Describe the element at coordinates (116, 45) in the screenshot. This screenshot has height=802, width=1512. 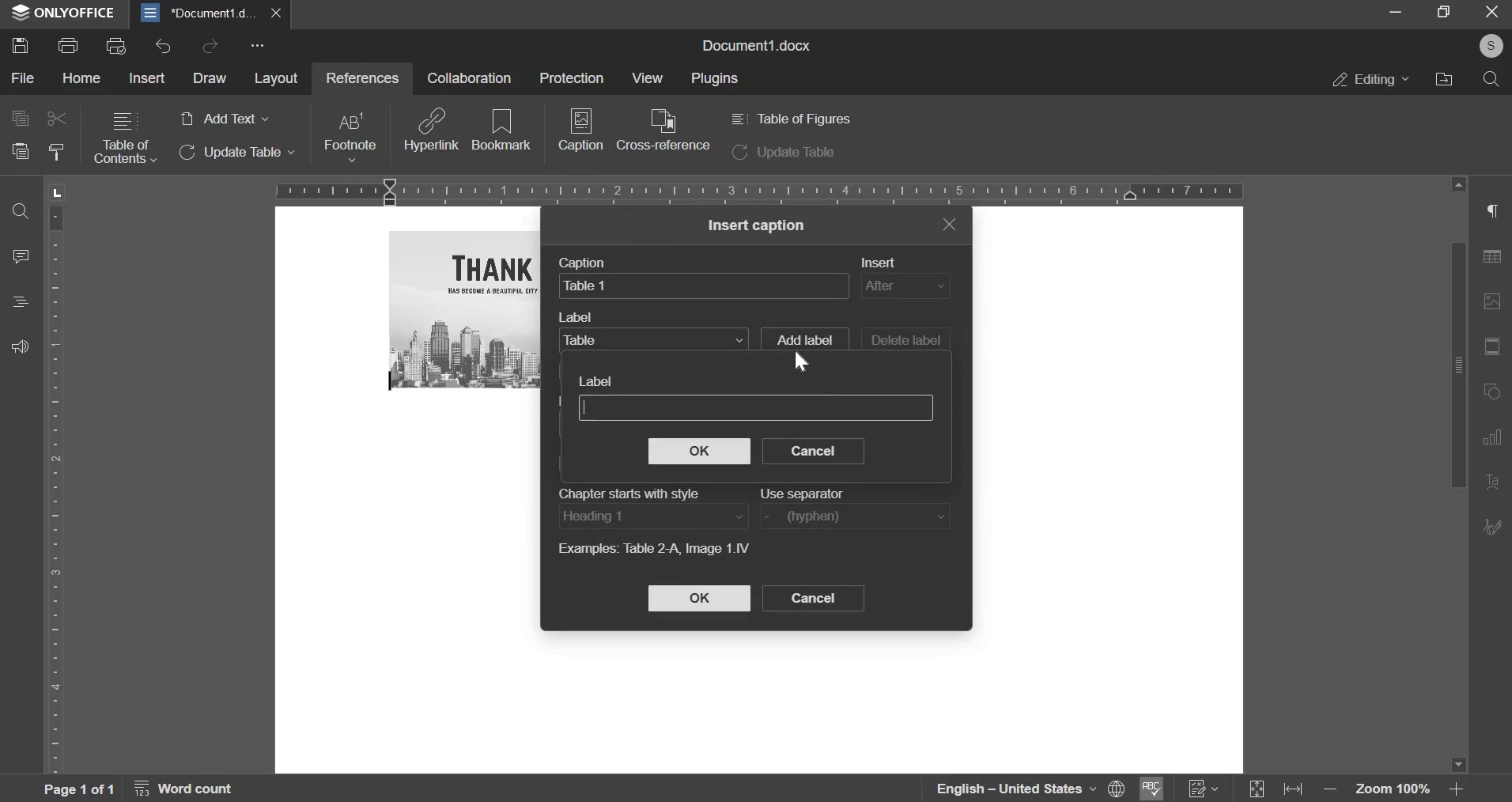
I see `print preview` at that location.